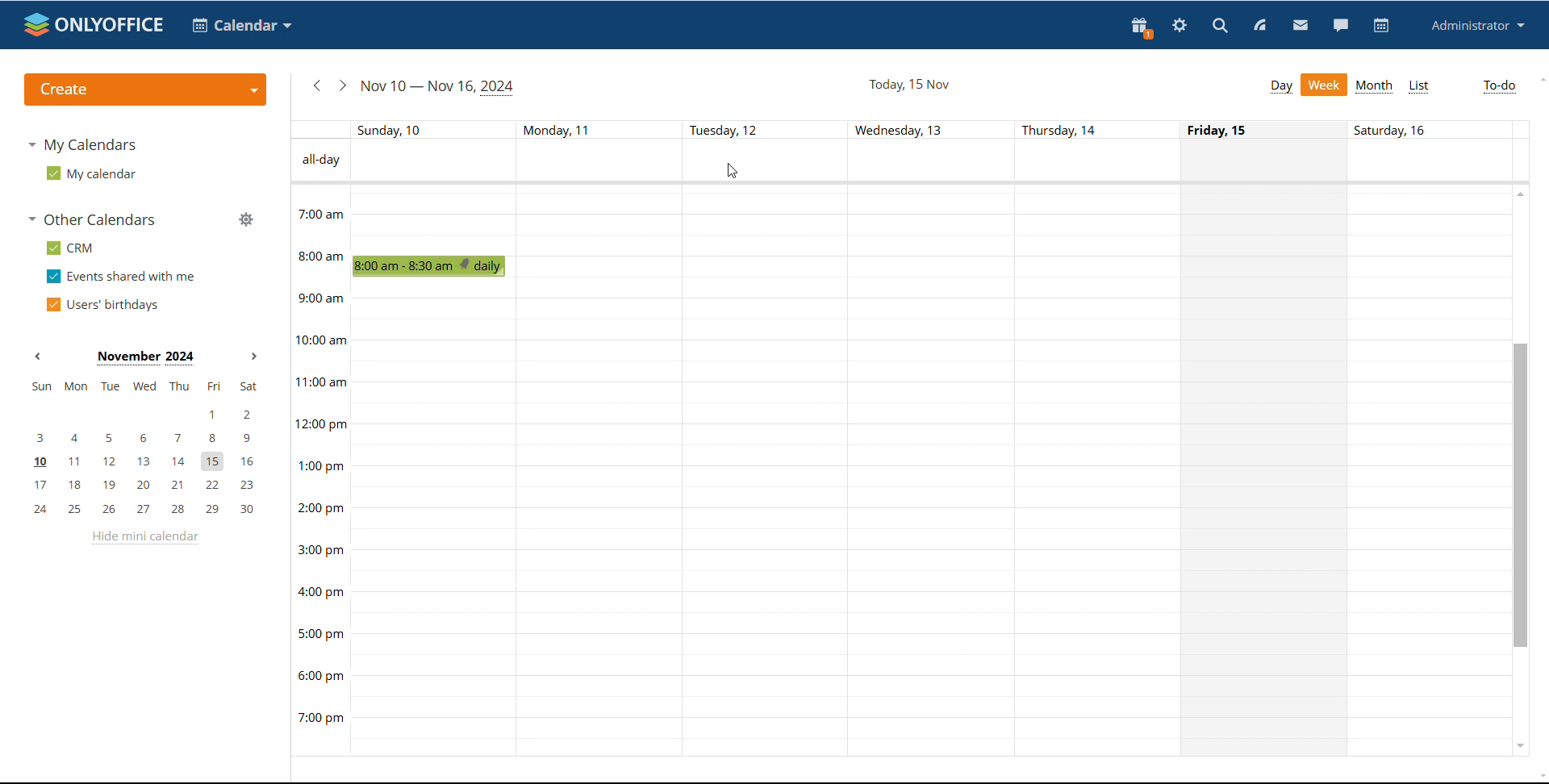  What do you see at coordinates (908, 84) in the screenshot?
I see `current date` at bounding box center [908, 84].